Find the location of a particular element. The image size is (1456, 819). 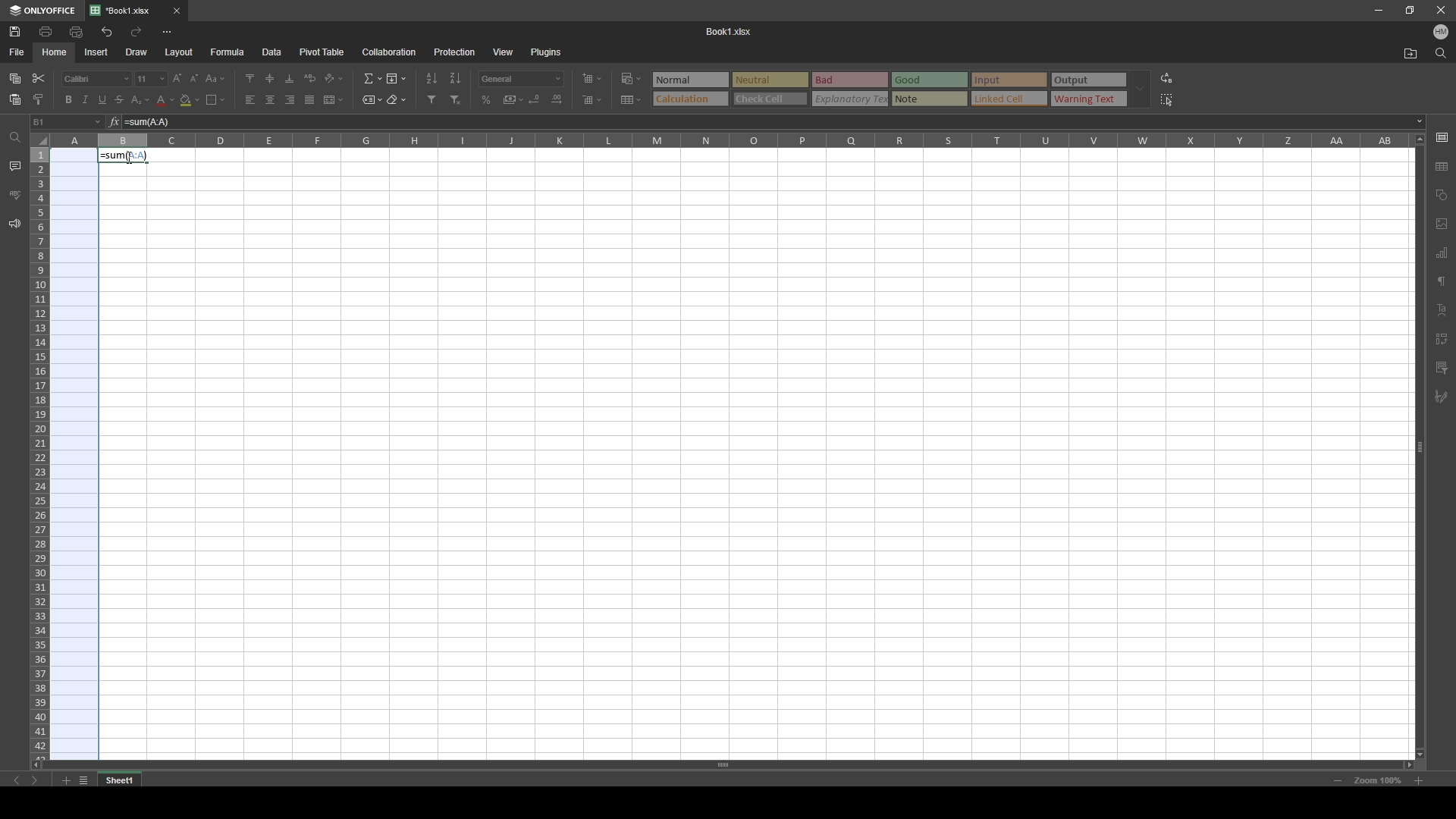

transform is located at coordinates (1442, 339).